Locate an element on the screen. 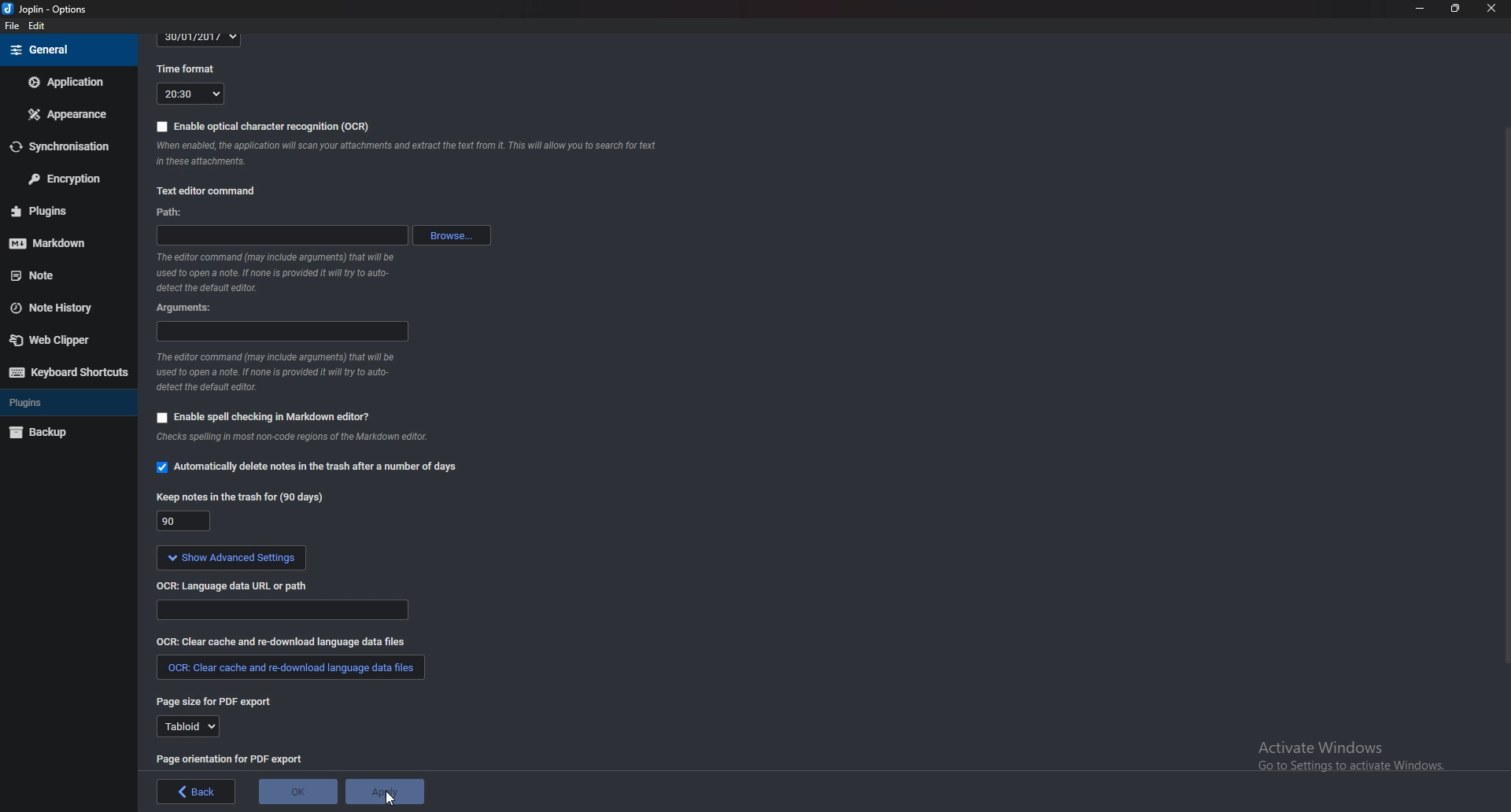 Image resolution: width=1511 pixels, height=812 pixels. Enable O C R is located at coordinates (264, 127).